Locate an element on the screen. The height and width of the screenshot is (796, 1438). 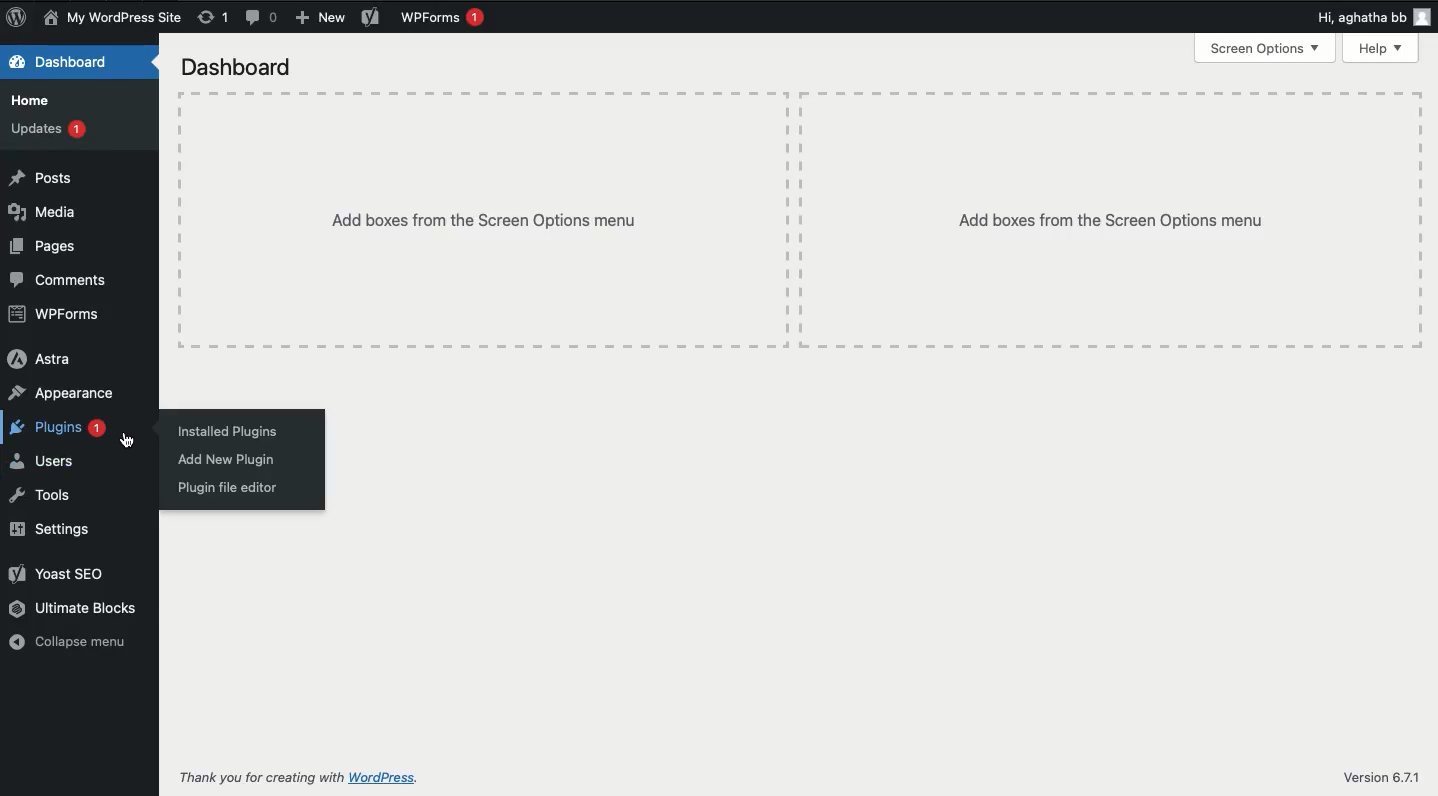
Plugin file editor is located at coordinates (230, 489).